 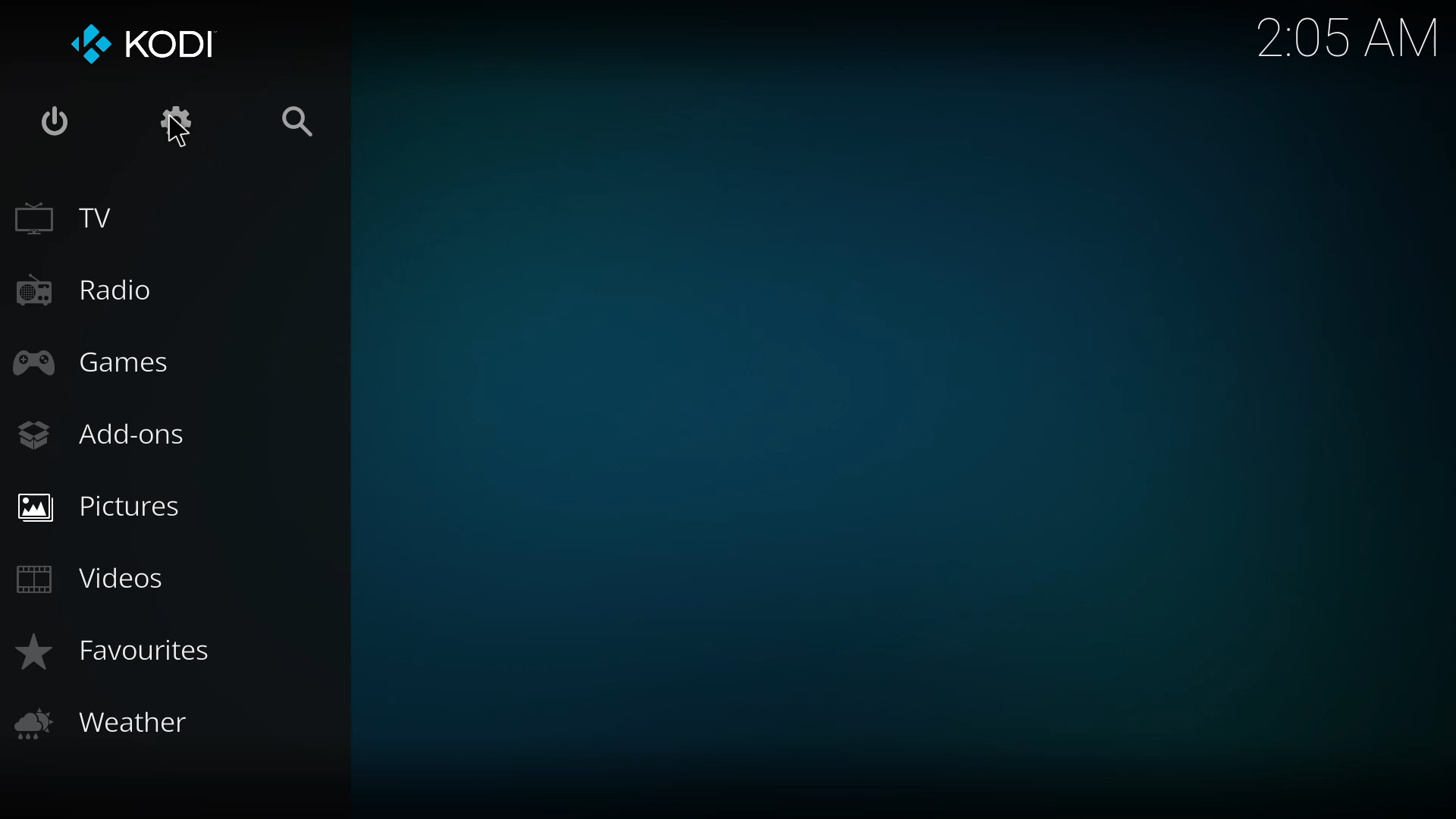 What do you see at coordinates (108, 504) in the screenshot?
I see `pictures` at bounding box center [108, 504].